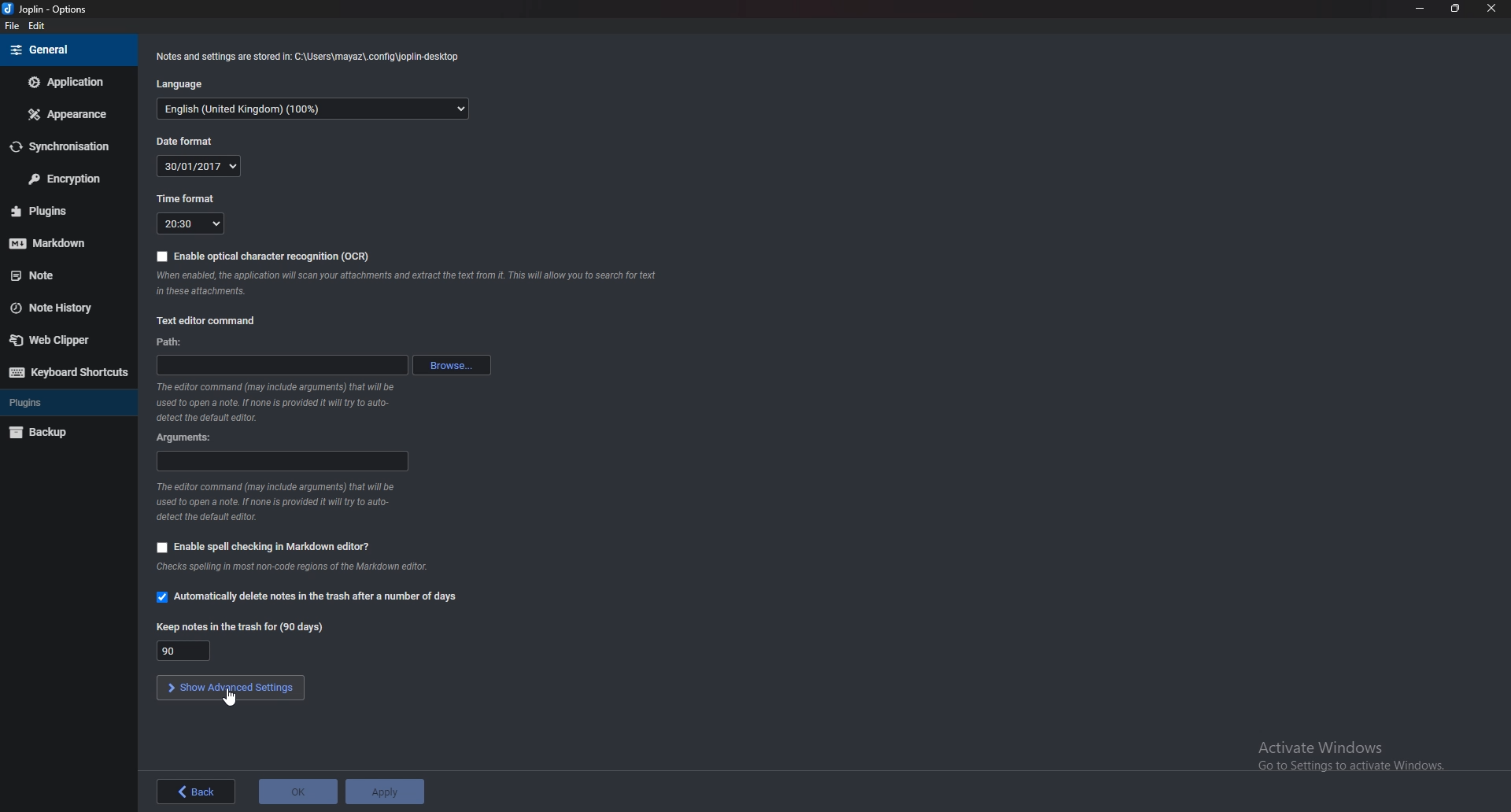  I want to click on Enable spell checking, so click(265, 544).